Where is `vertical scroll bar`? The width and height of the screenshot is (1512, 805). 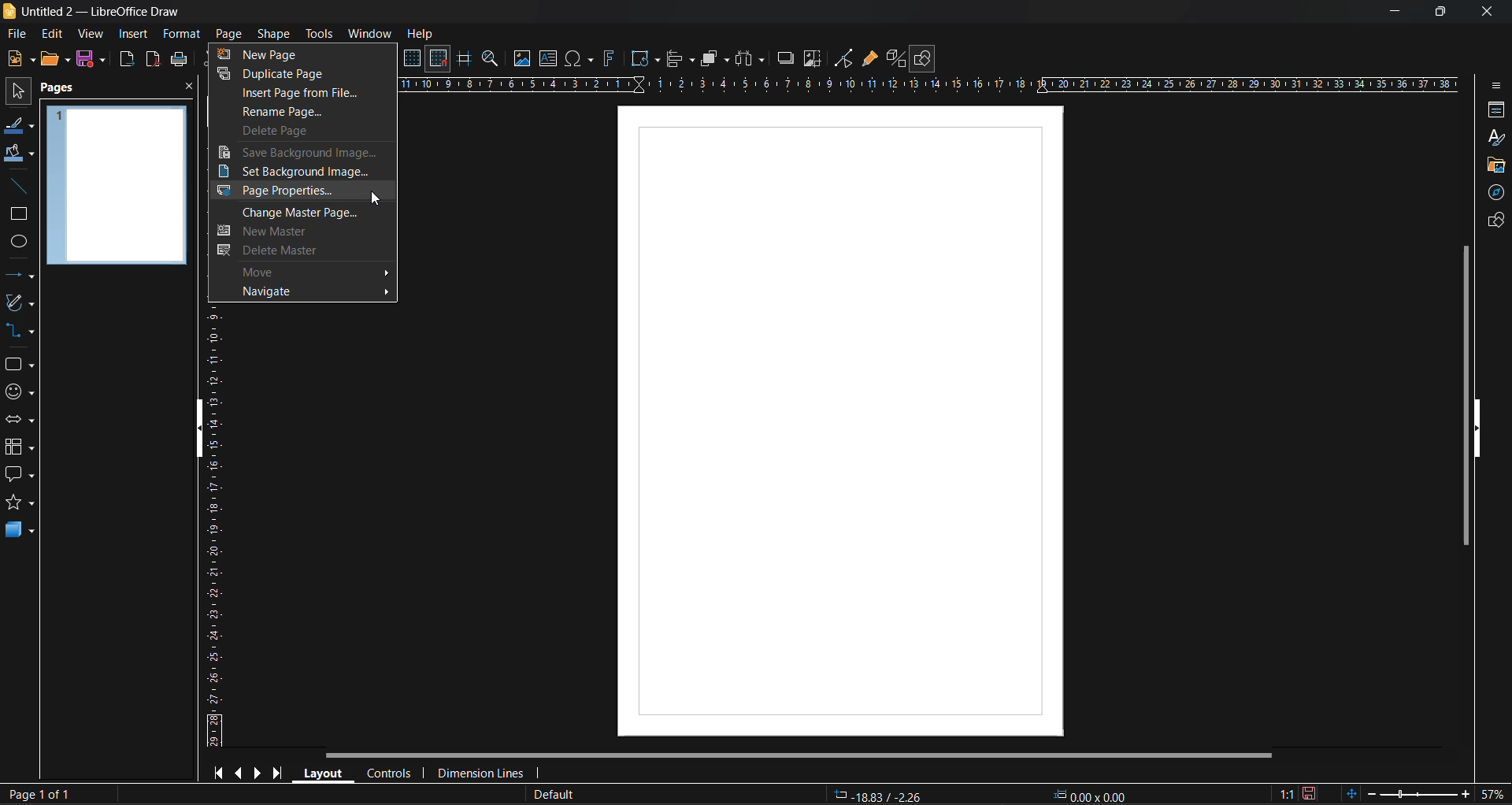
vertical scroll bar is located at coordinates (1460, 395).